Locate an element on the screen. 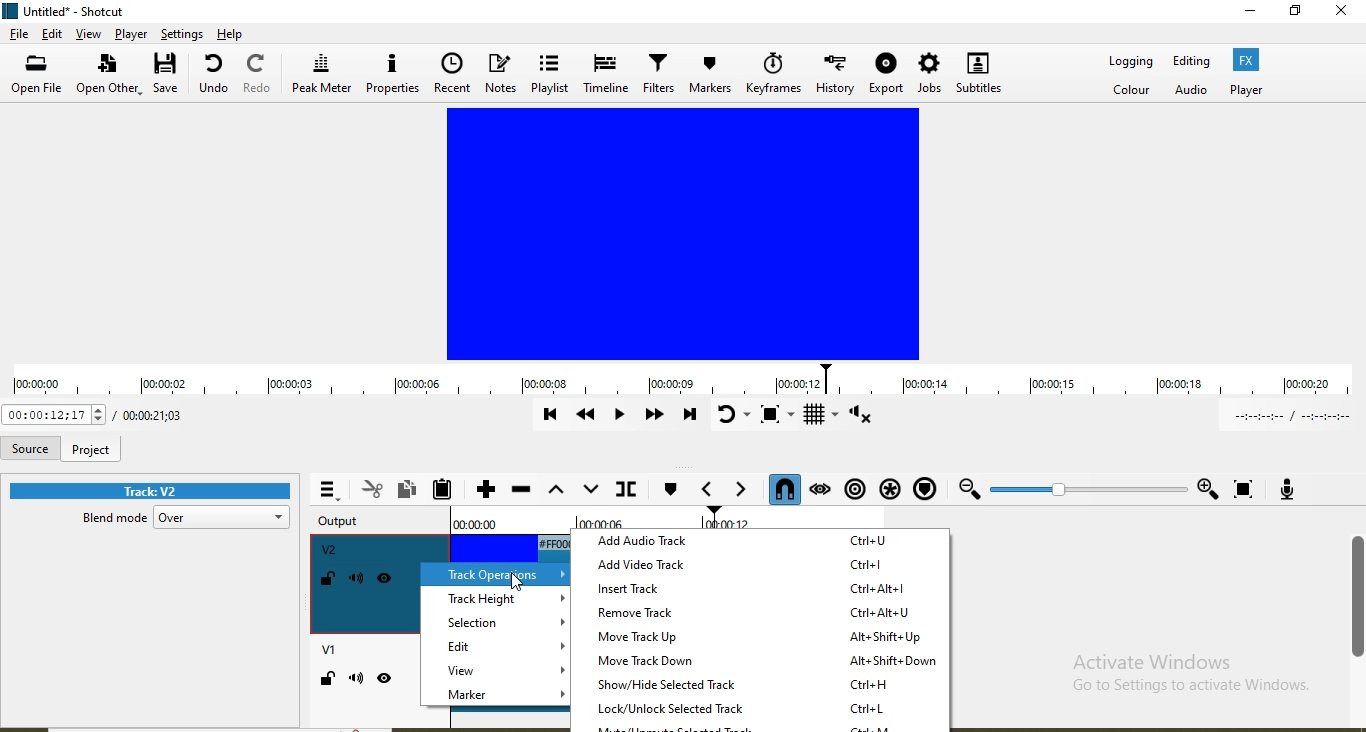 Image resolution: width=1366 pixels, height=732 pixels. selction is located at coordinates (497, 622).